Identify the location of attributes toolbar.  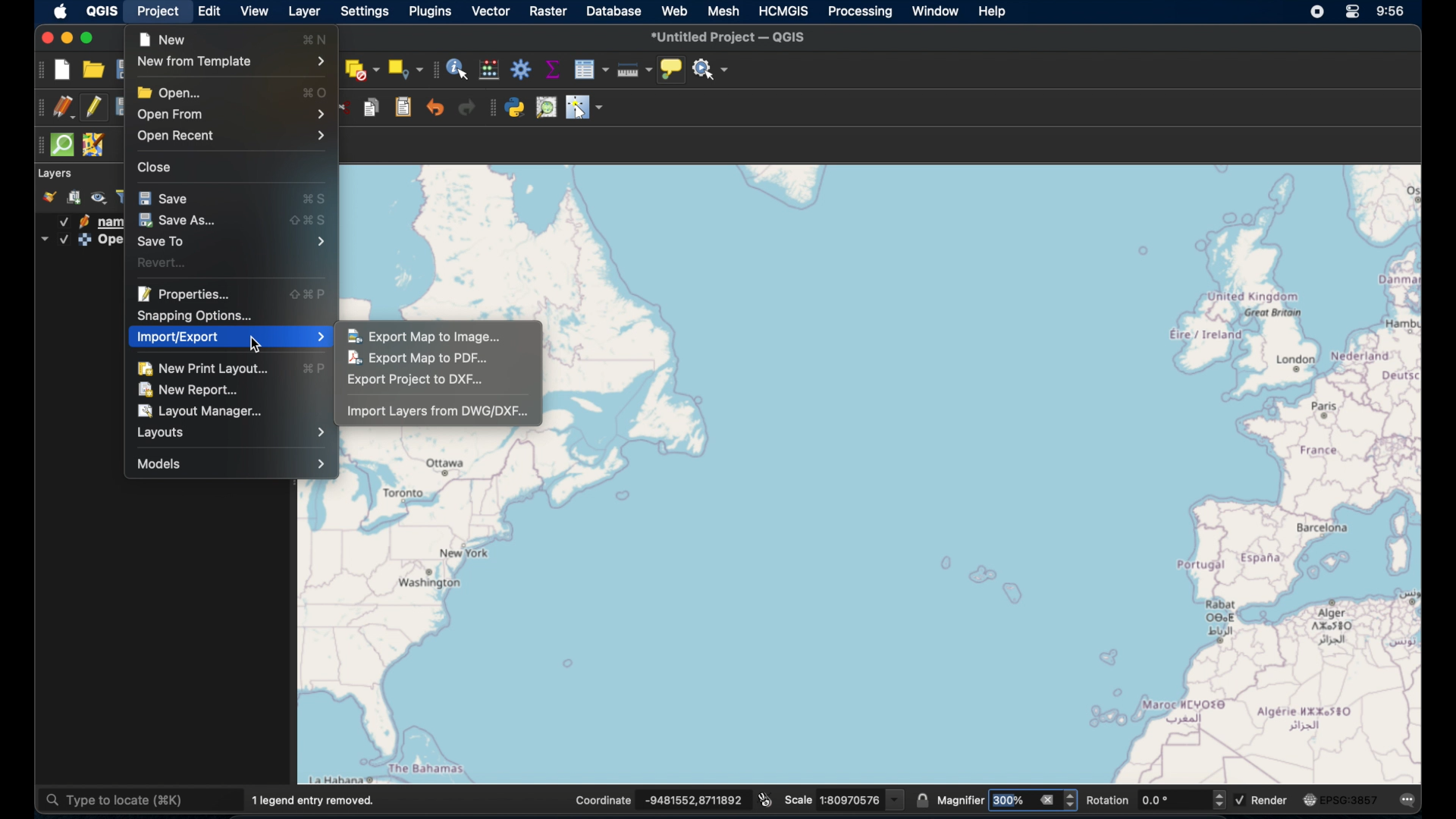
(435, 70).